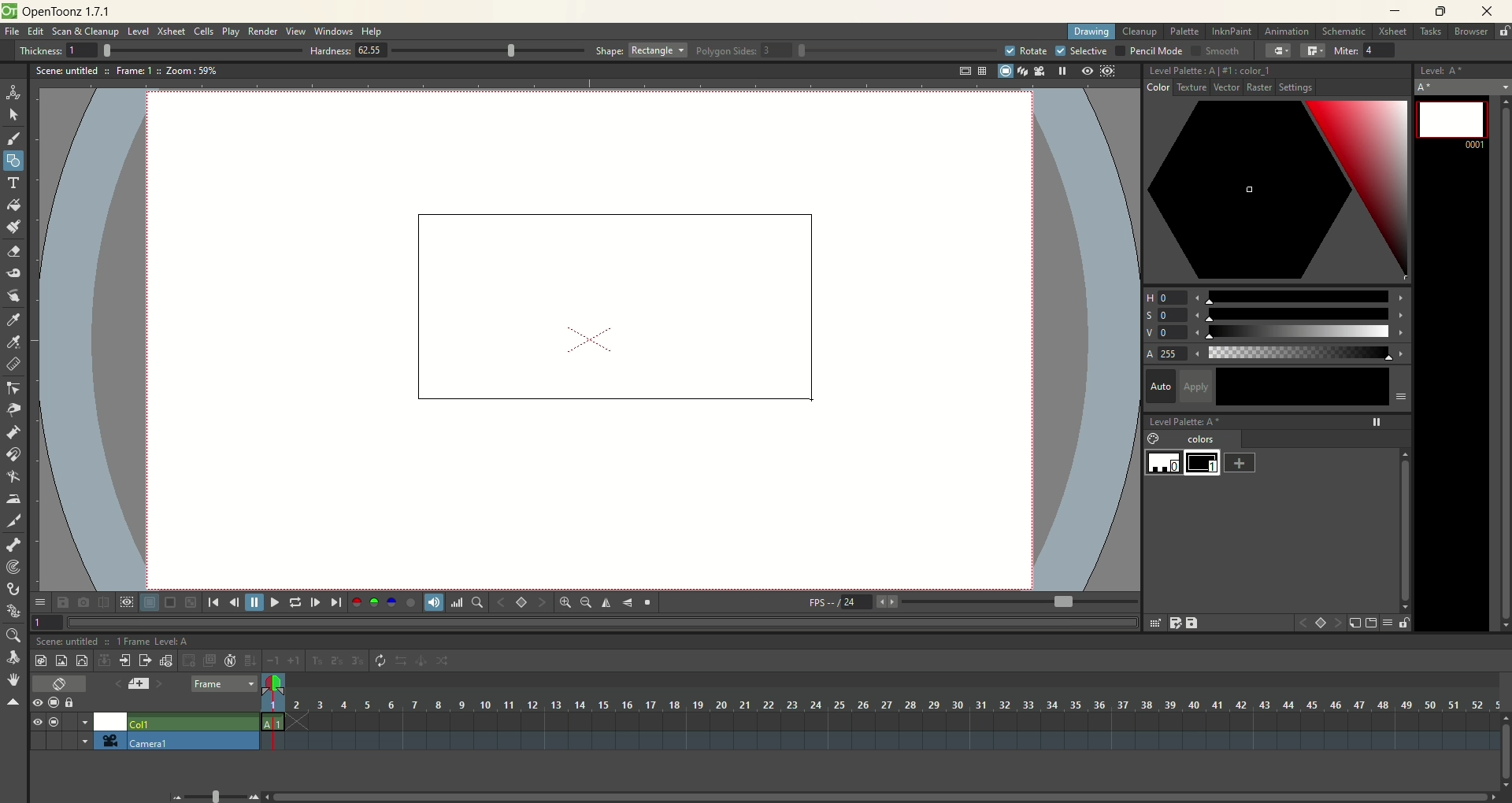 The width and height of the screenshot is (1512, 803). I want to click on value, so click(1277, 333).